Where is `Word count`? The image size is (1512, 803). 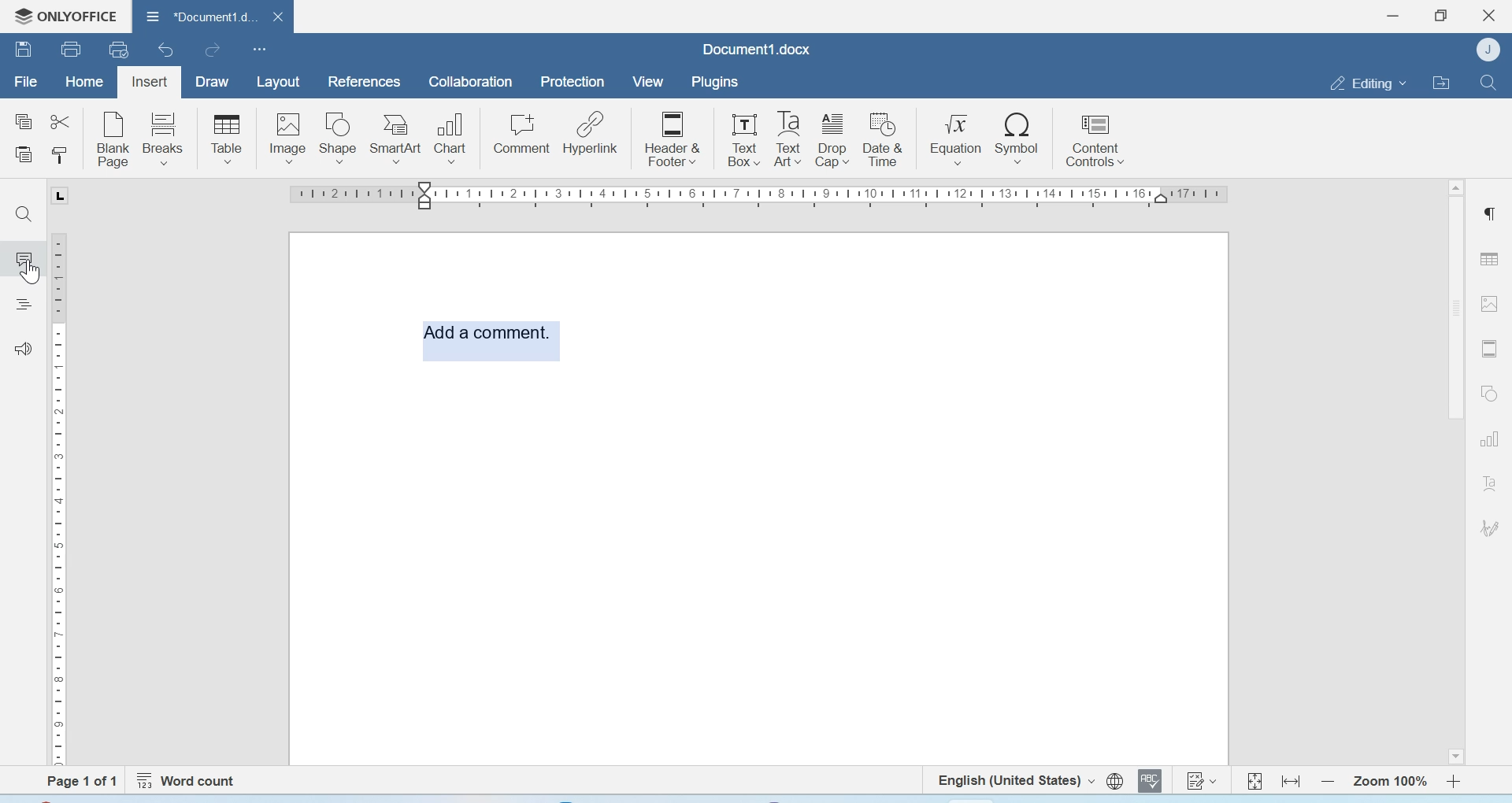 Word count is located at coordinates (189, 781).